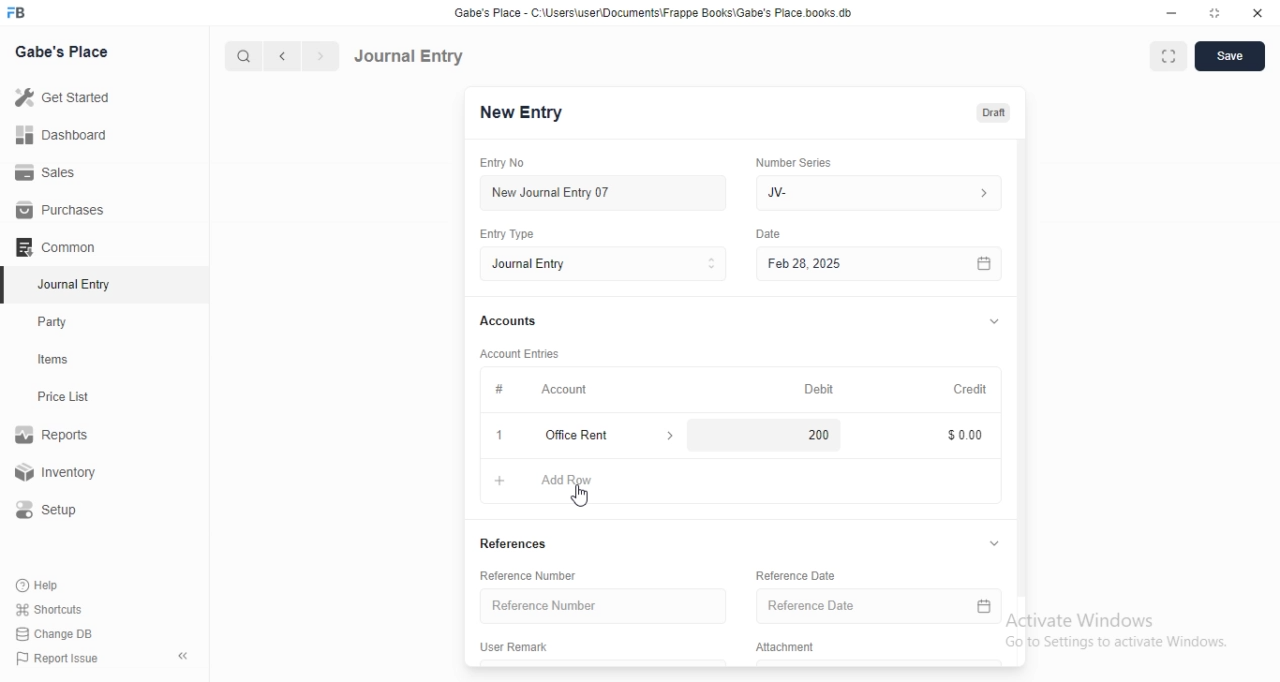 The width and height of the screenshot is (1280, 682). I want to click on Dashboard, so click(59, 135).